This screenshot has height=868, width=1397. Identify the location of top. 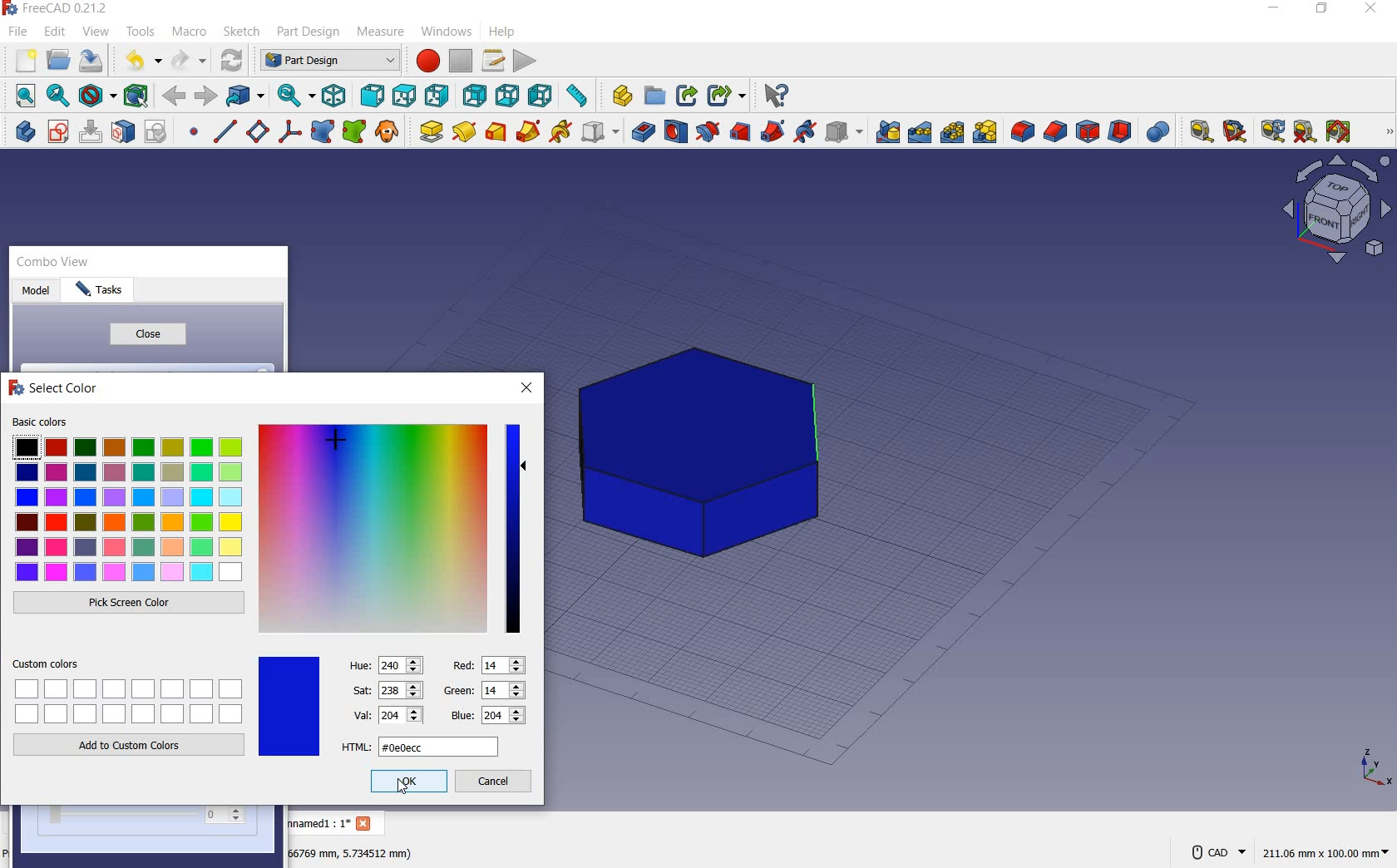
(402, 94).